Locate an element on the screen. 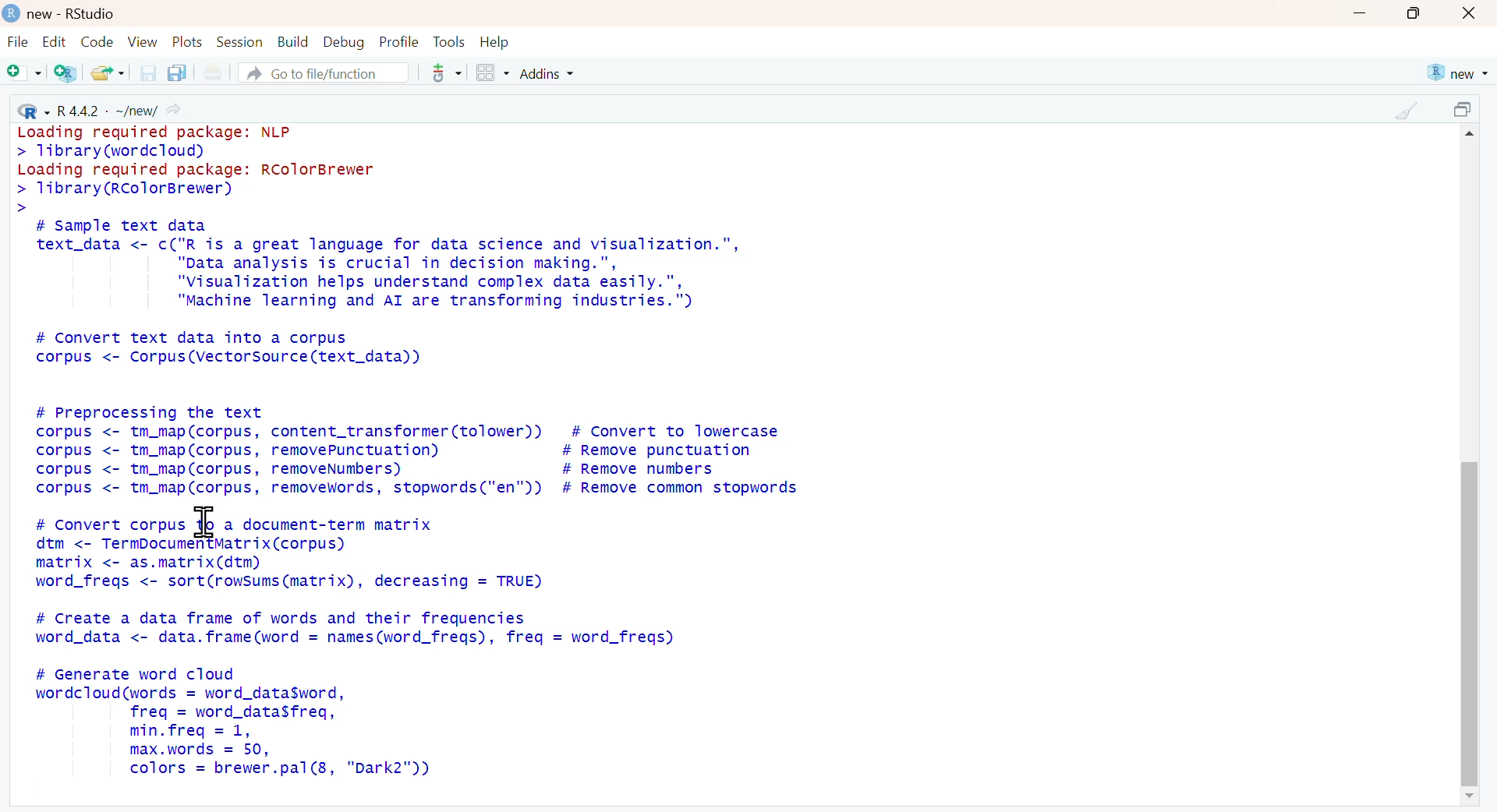 The image size is (1497, 812). Profile is located at coordinates (401, 42).